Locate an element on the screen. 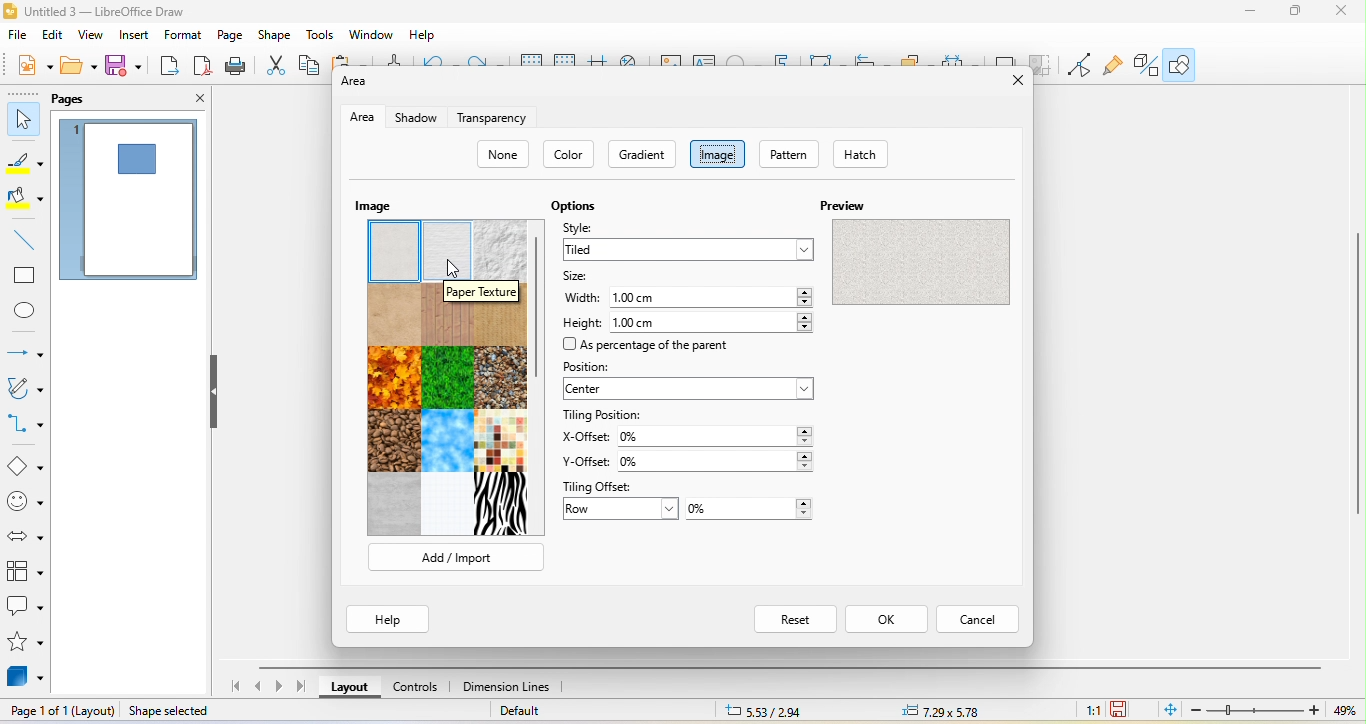 Image resolution: width=1366 pixels, height=724 pixels. fit page to current window is located at coordinates (1167, 711).